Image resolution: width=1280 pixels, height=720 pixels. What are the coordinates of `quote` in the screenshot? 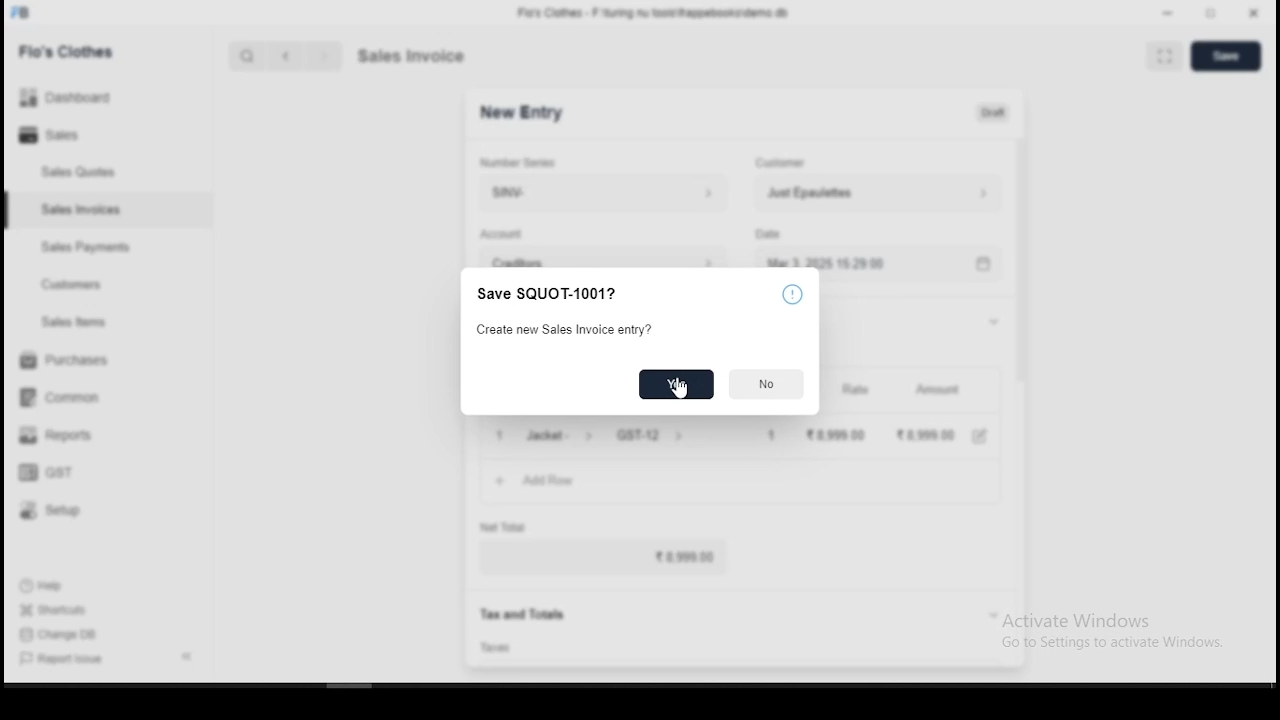 It's located at (407, 56).